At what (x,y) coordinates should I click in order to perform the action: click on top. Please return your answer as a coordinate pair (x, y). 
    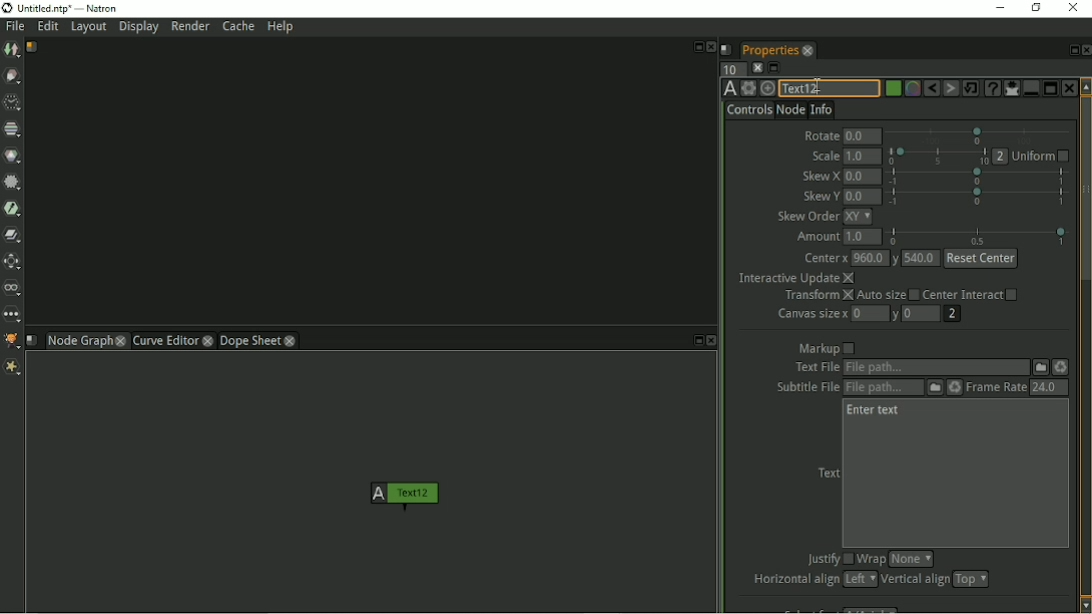
    Looking at the image, I should click on (971, 579).